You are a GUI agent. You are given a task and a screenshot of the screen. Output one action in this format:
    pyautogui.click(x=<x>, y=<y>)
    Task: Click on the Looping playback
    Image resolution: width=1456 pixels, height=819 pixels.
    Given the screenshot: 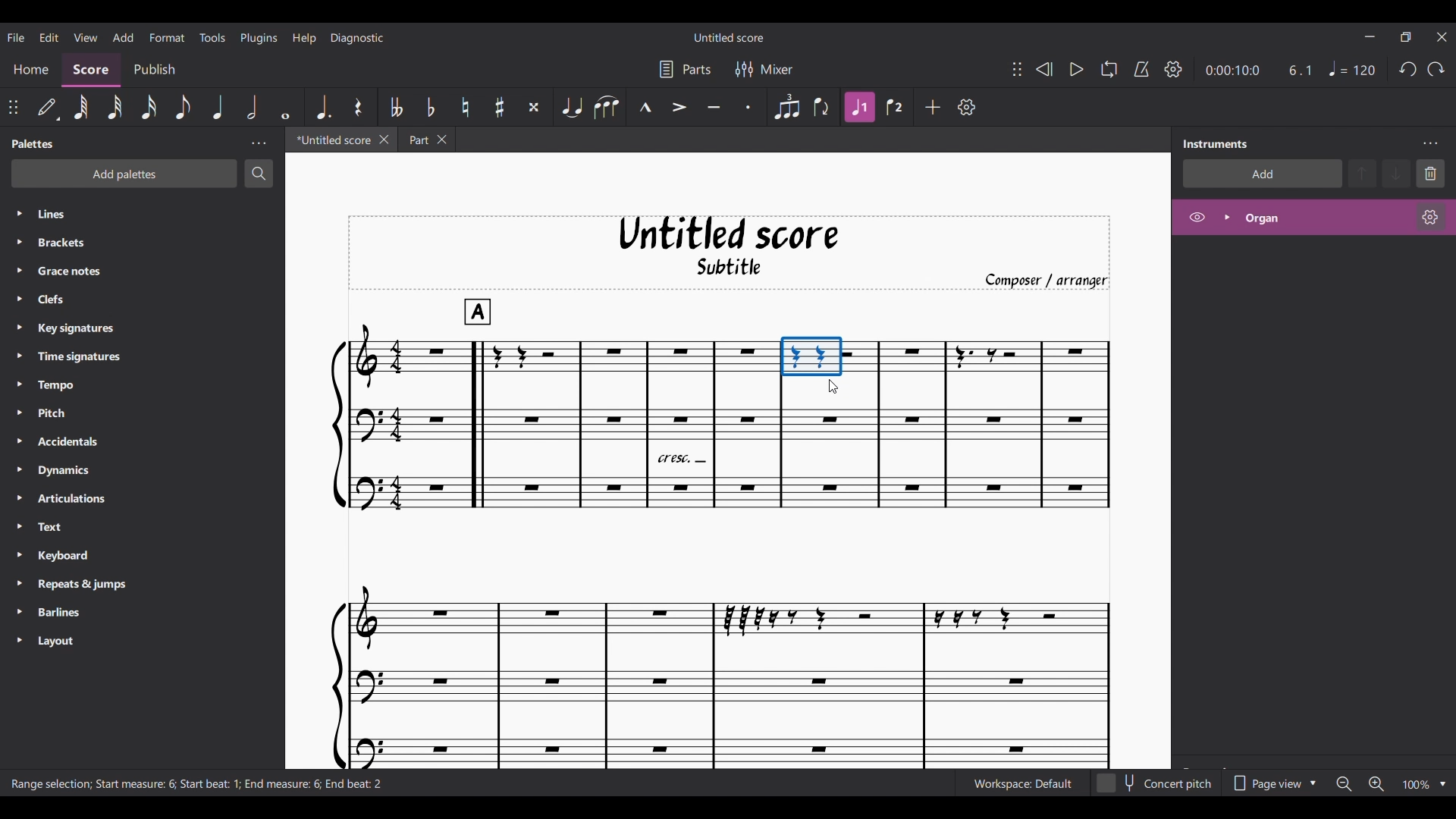 What is the action you would take?
    pyautogui.click(x=1109, y=69)
    